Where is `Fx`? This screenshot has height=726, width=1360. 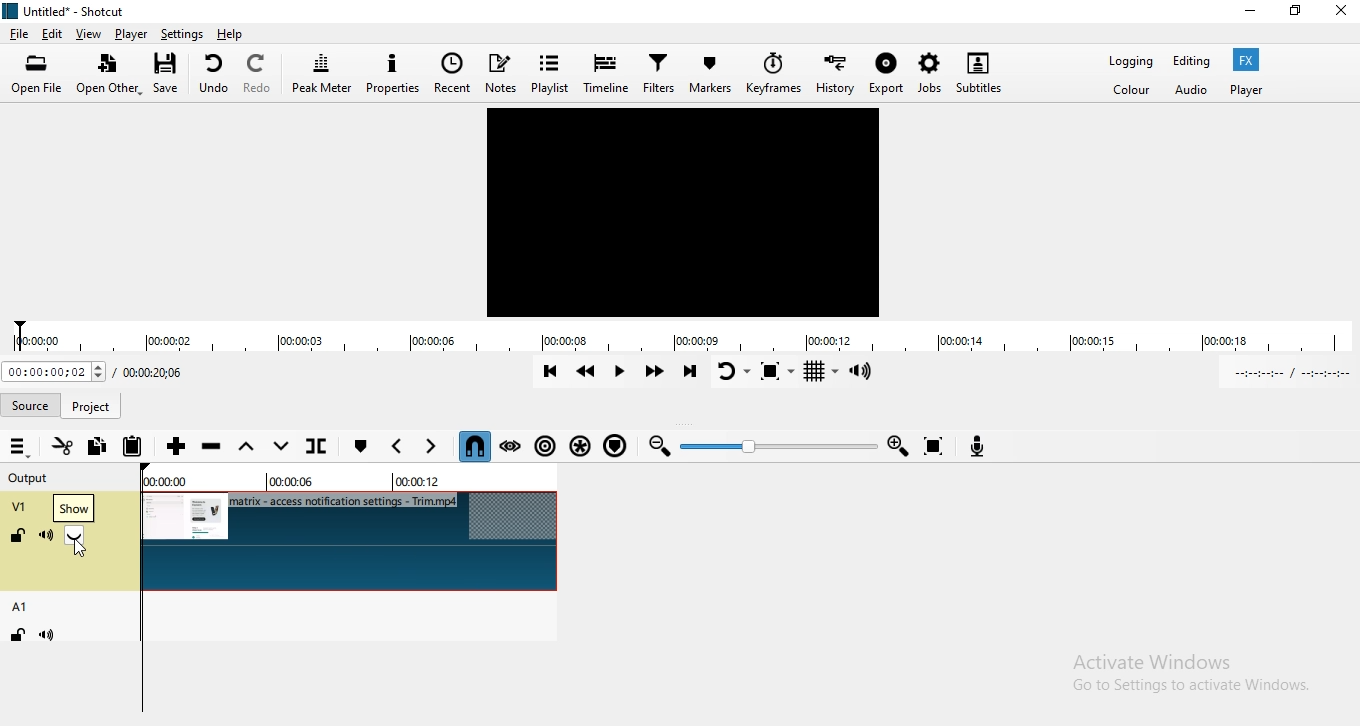
Fx is located at coordinates (1251, 60).